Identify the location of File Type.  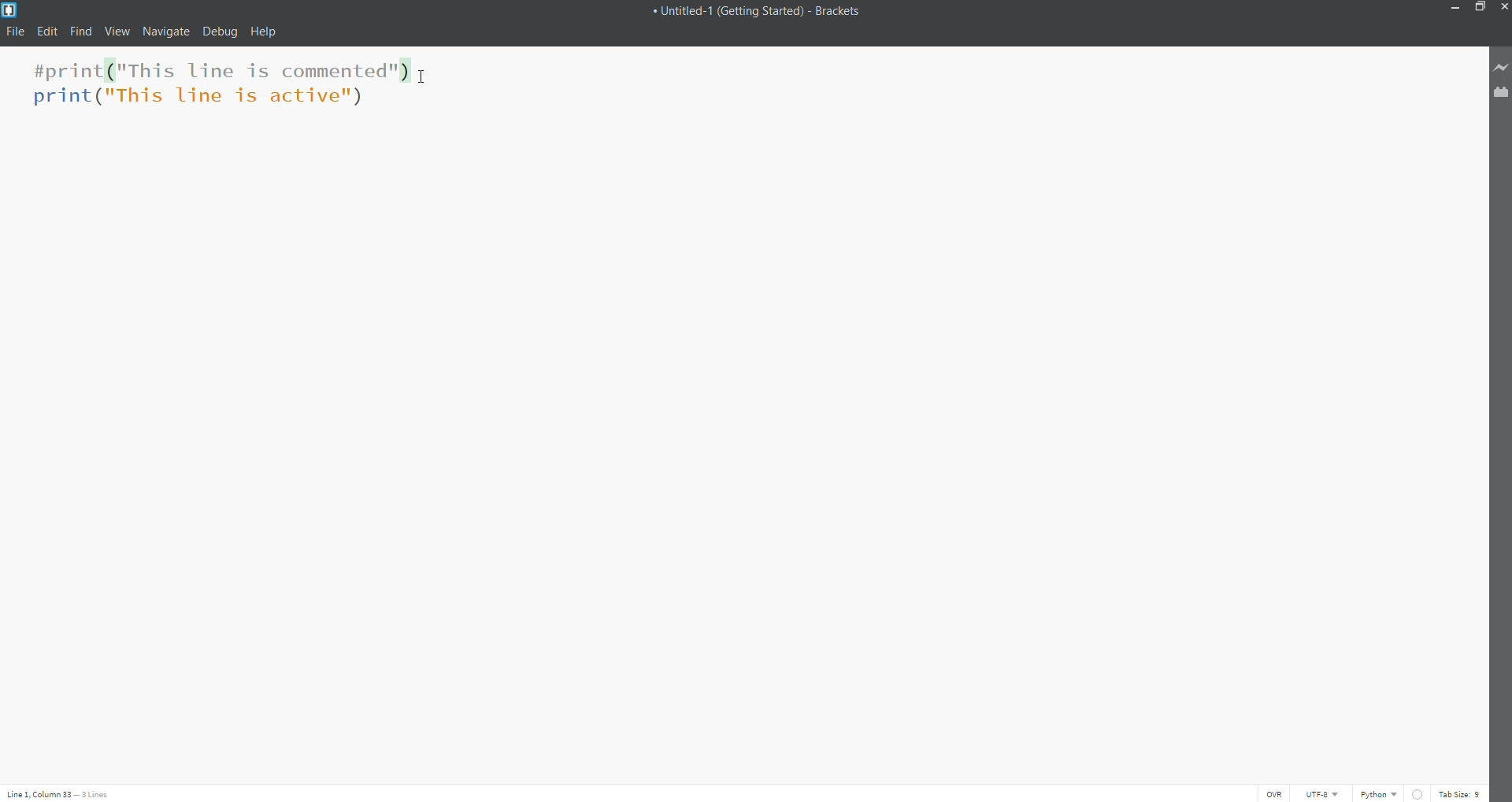
(1380, 792).